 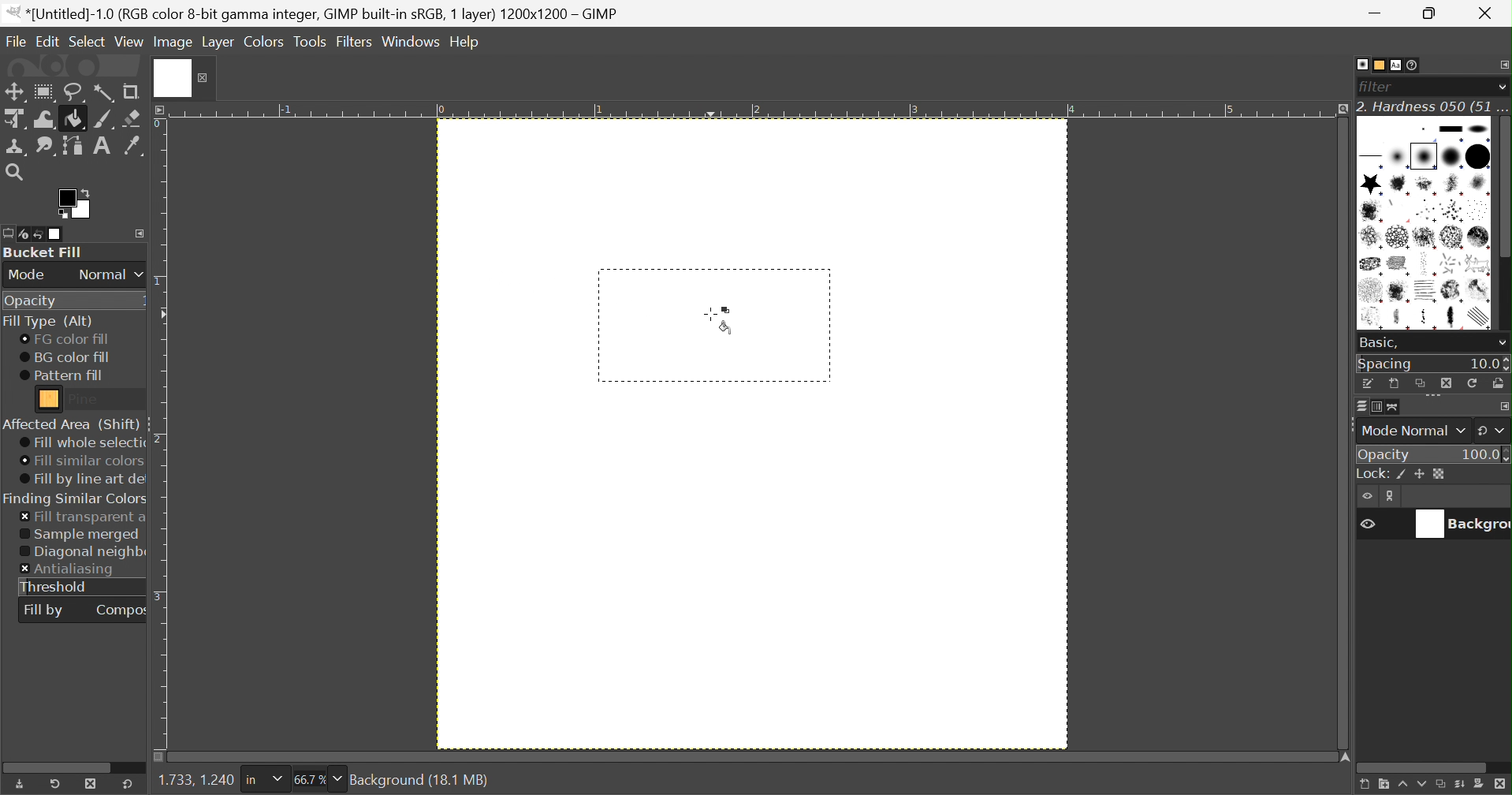 I want to click on Drop image file hereto open them, so click(x=71, y=65).